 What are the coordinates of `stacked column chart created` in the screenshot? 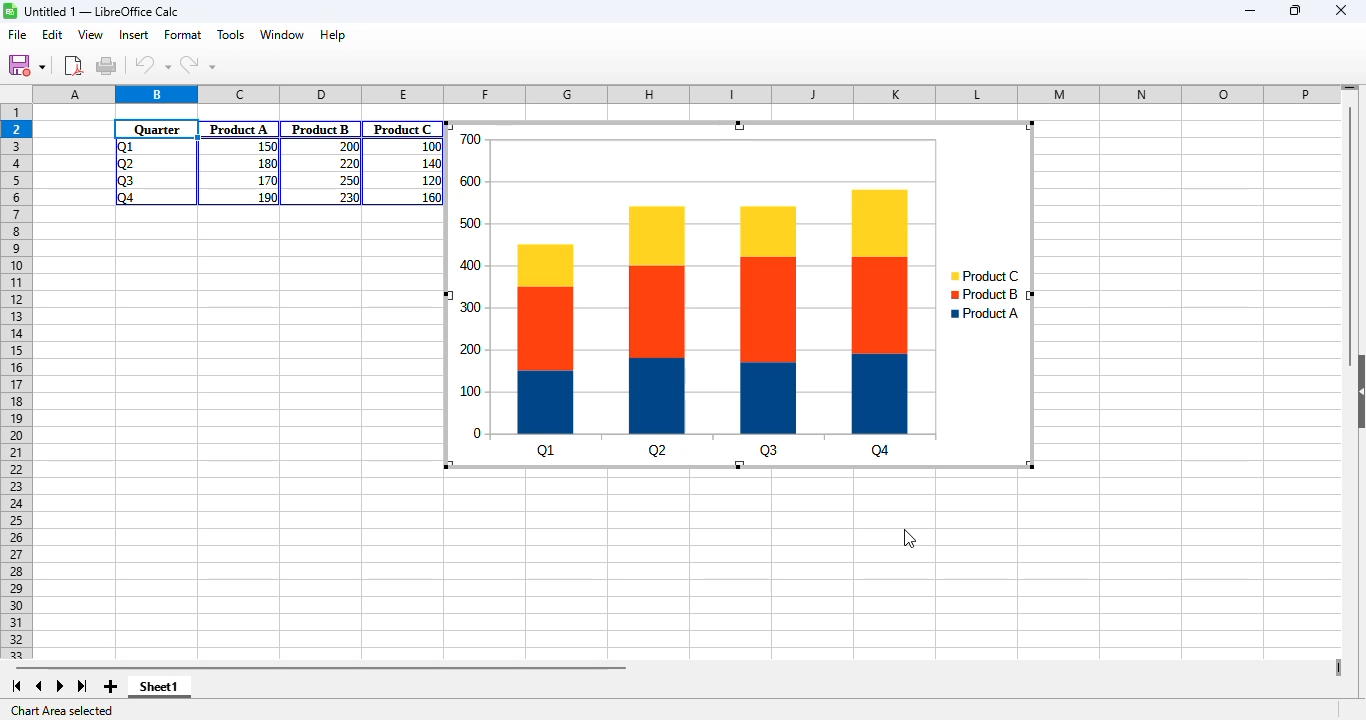 It's located at (740, 296).